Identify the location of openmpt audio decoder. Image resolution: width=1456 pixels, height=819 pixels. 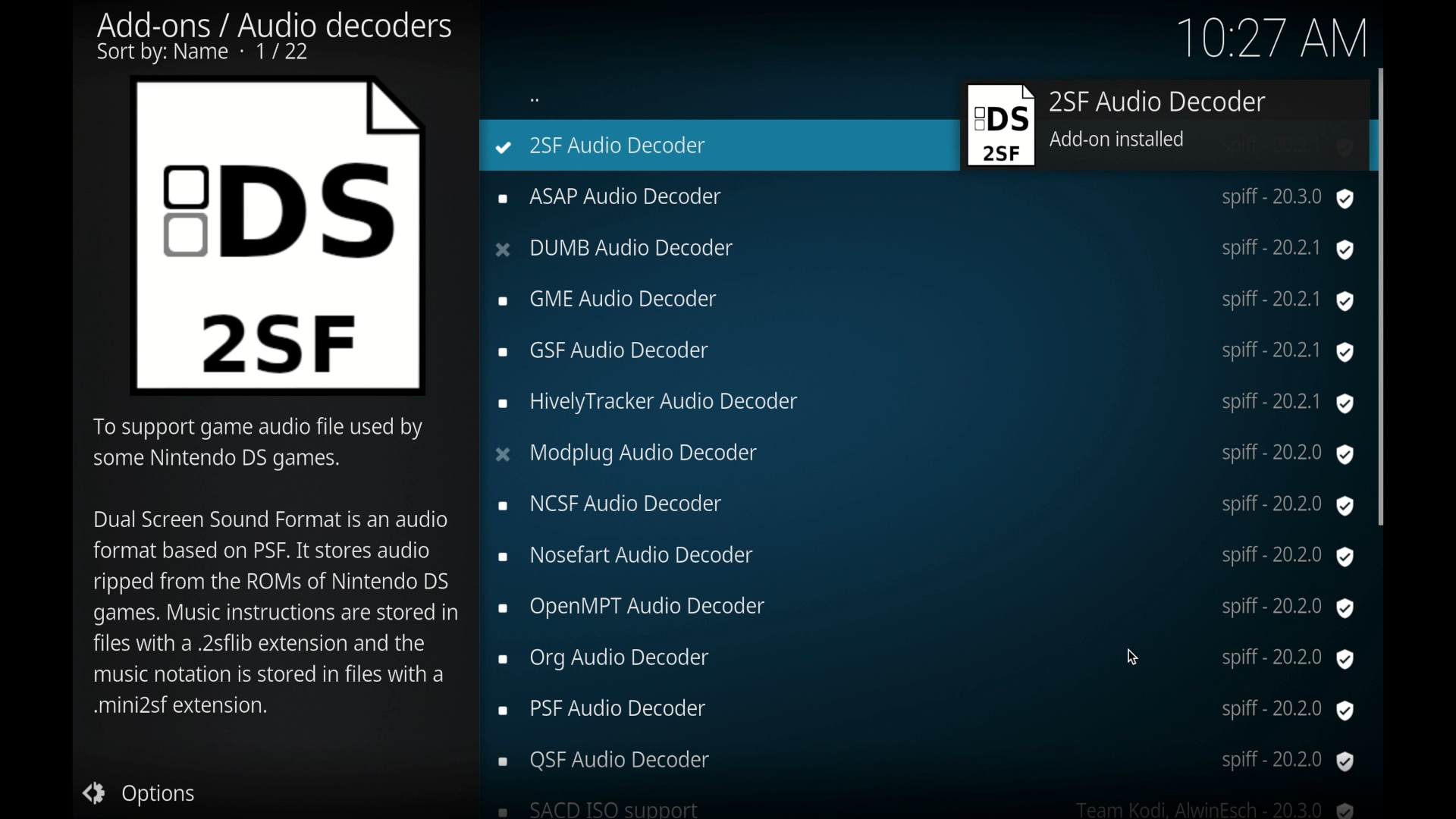
(925, 608).